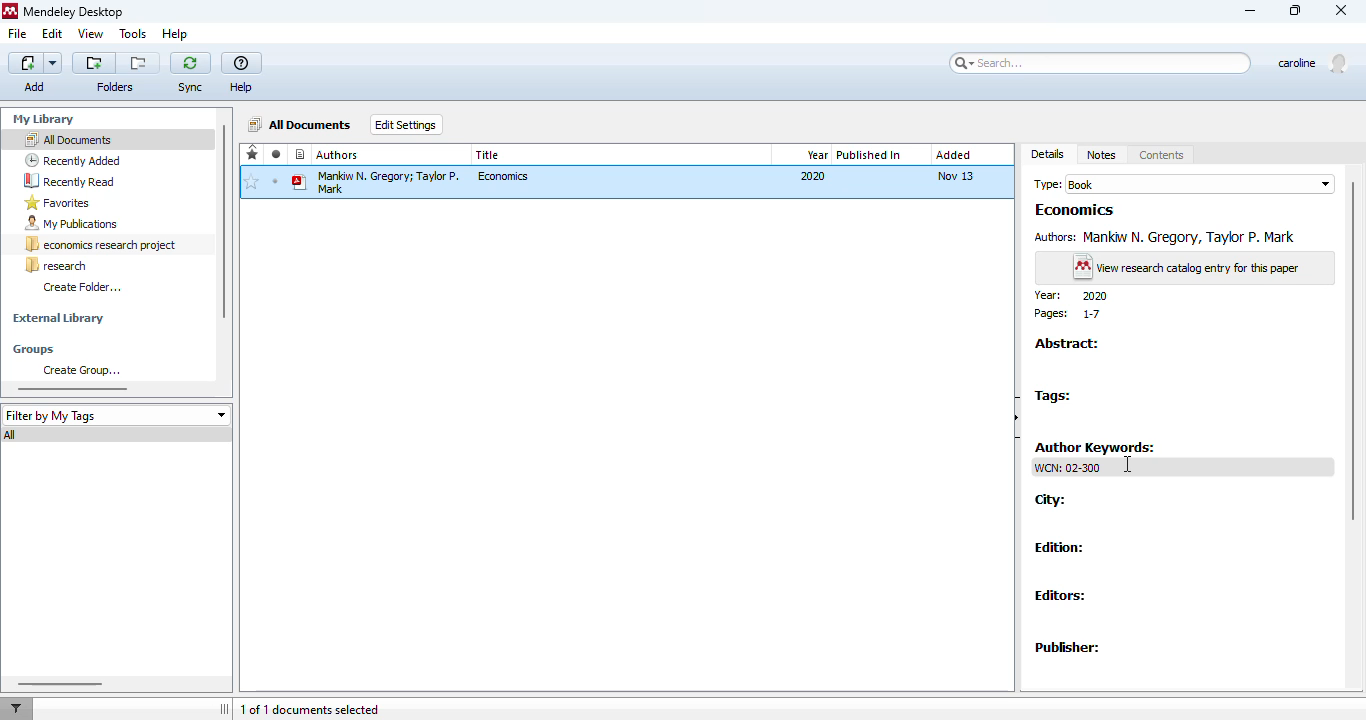 The height and width of the screenshot is (720, 1366). I want to click on close, so click(1342, 11).